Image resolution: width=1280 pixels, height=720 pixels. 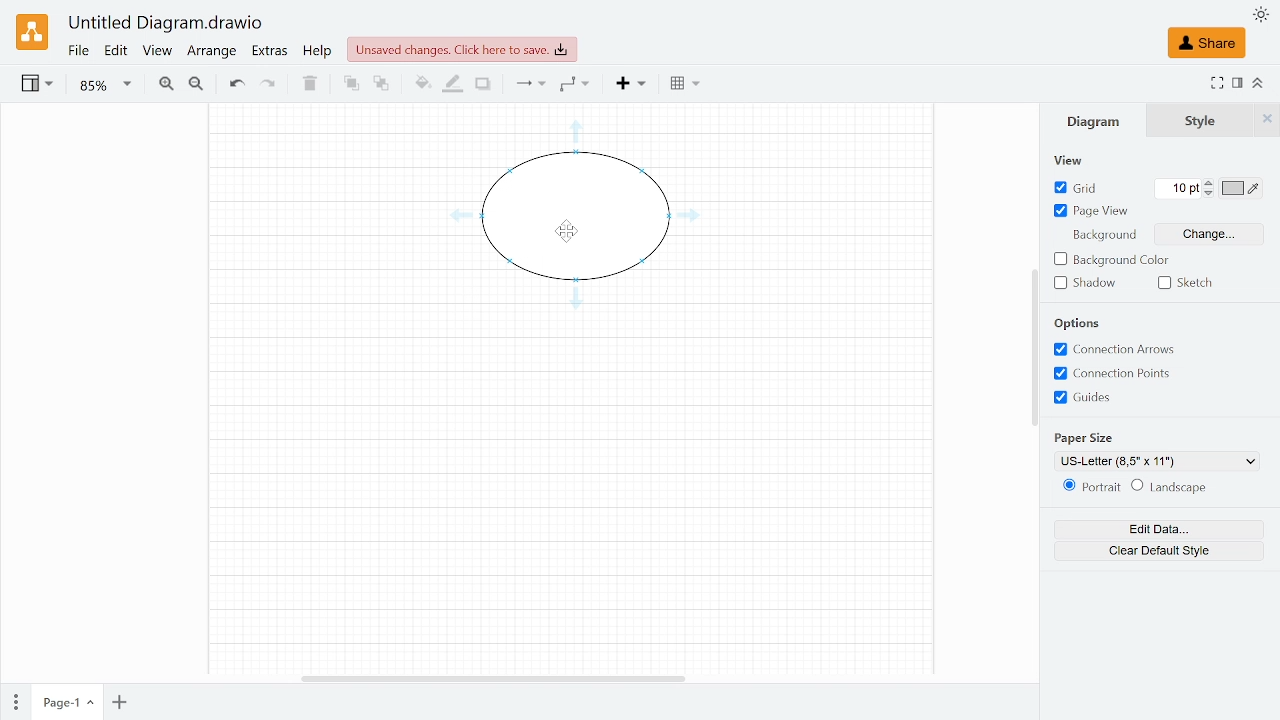 I want to click on view, so click(x=1070, y=161).